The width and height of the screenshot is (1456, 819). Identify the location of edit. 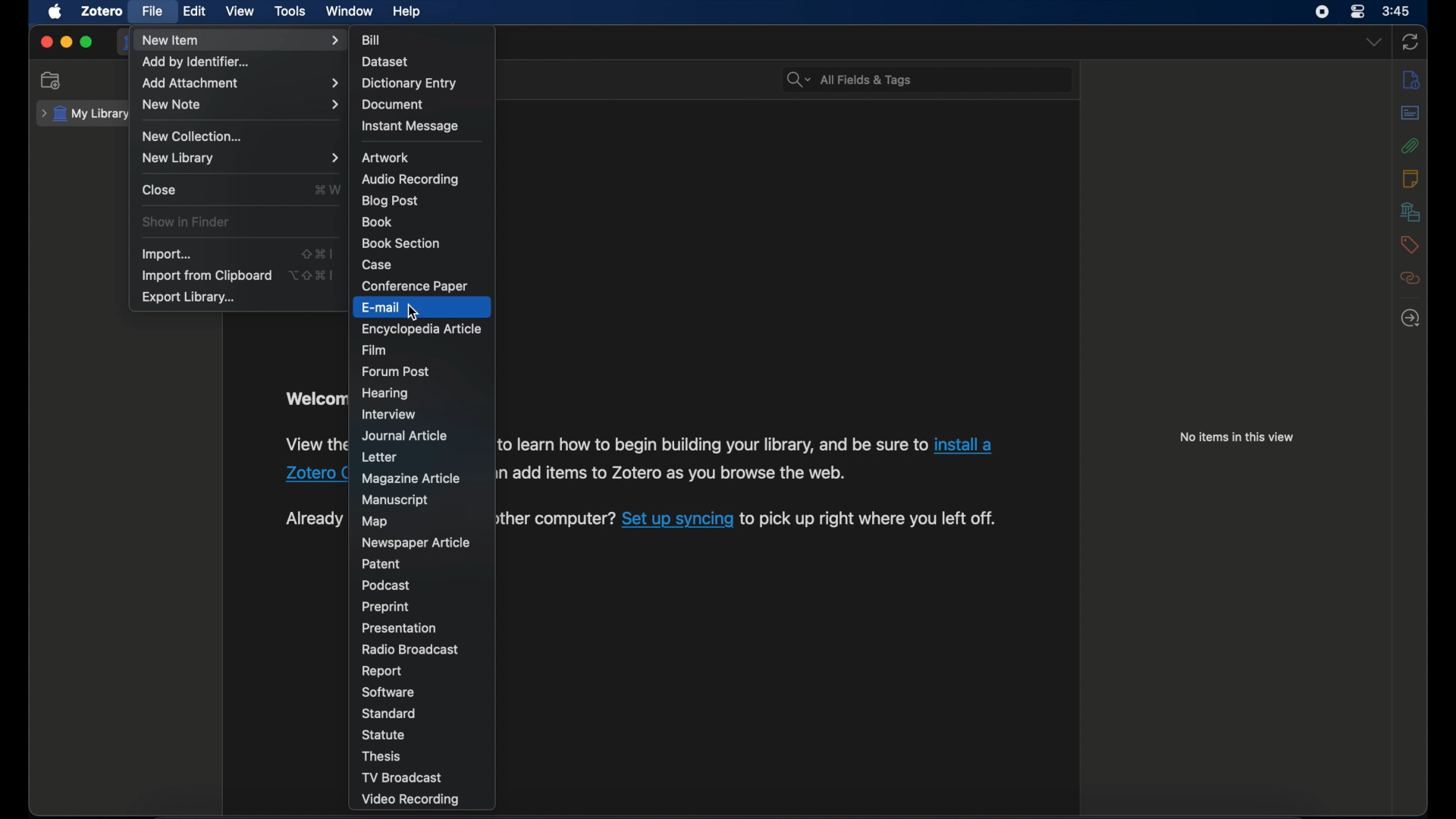
(196, 12).